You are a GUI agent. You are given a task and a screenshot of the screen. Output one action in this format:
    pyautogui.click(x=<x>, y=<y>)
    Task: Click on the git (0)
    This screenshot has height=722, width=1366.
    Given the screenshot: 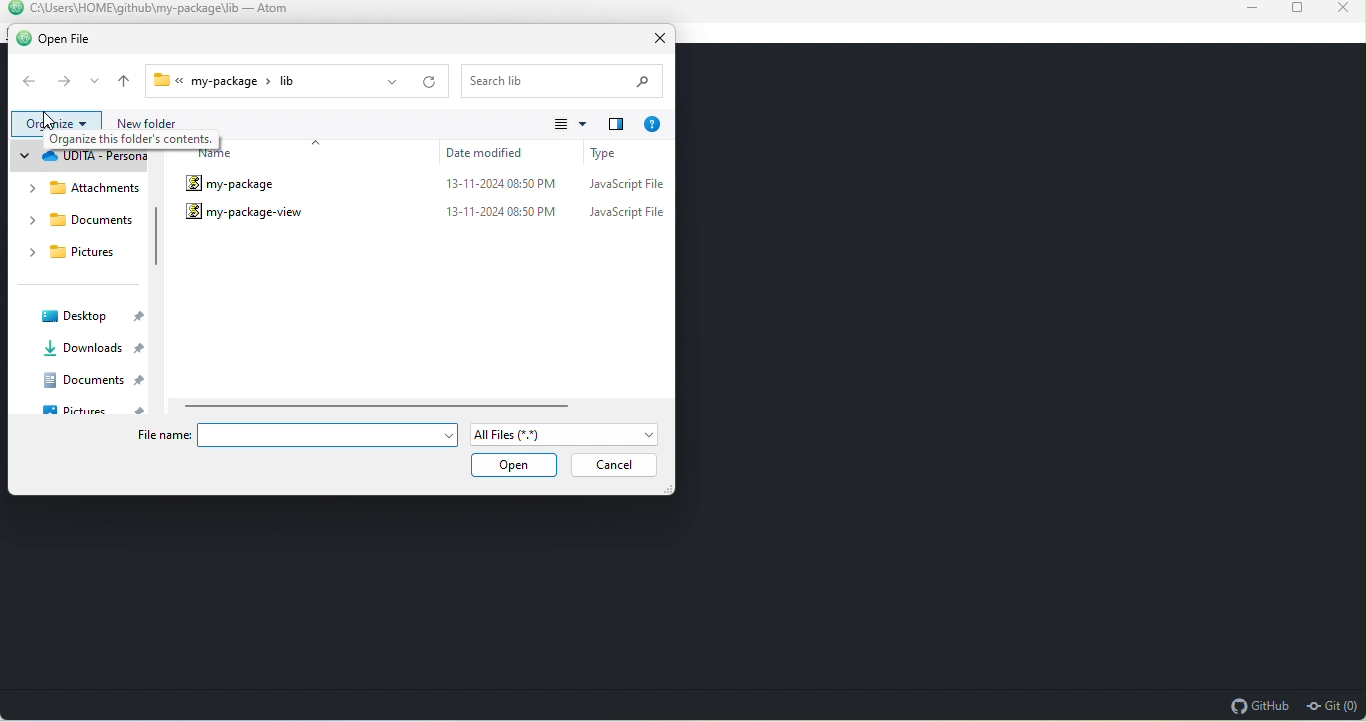 What is the action you would take?
    pyautogui.click(x=1332, y=705)
    